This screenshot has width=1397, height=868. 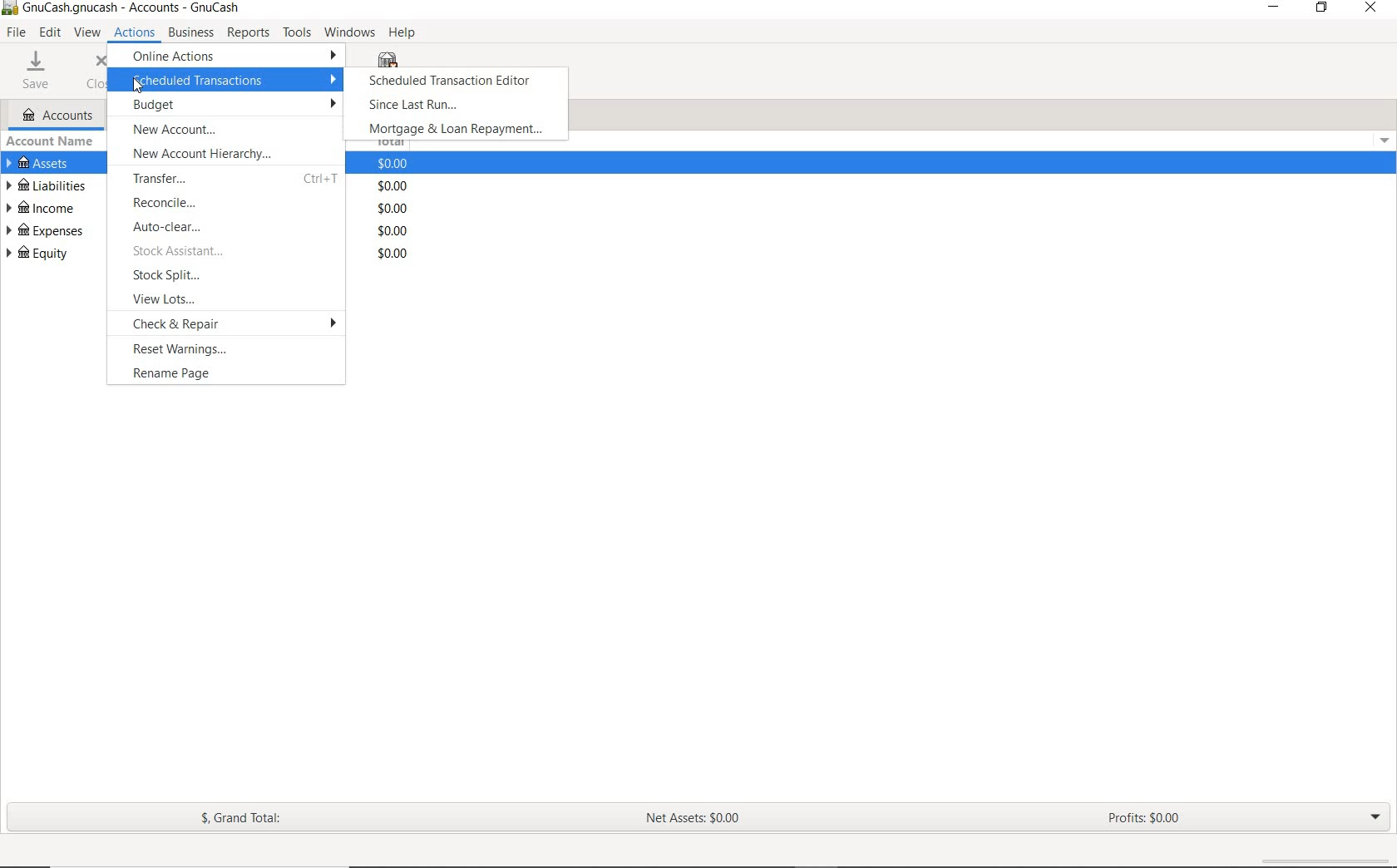 I want to click on BUSINESS, so click(x=190, y=33).